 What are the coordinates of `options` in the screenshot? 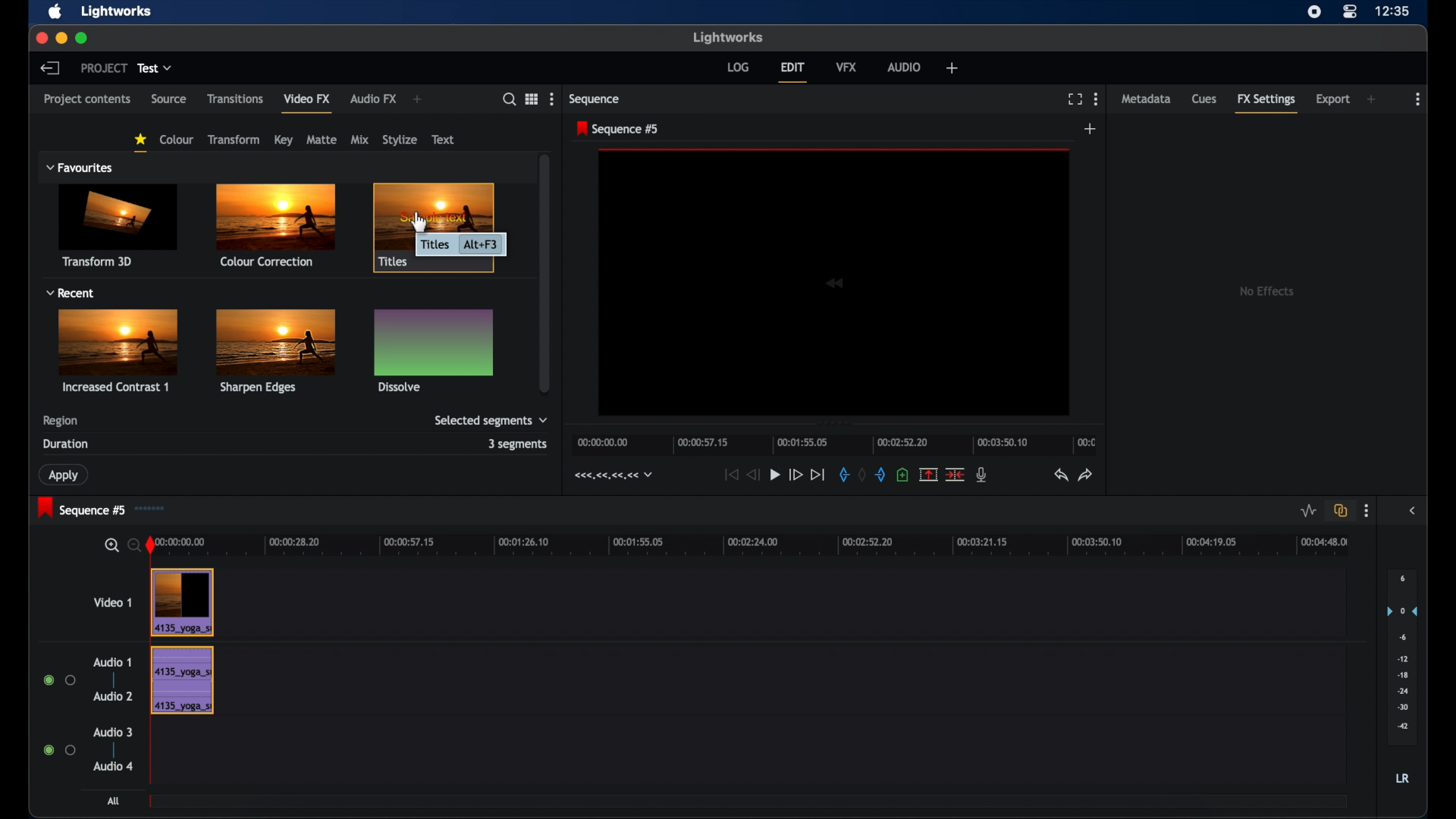 It's located at (531, 99).